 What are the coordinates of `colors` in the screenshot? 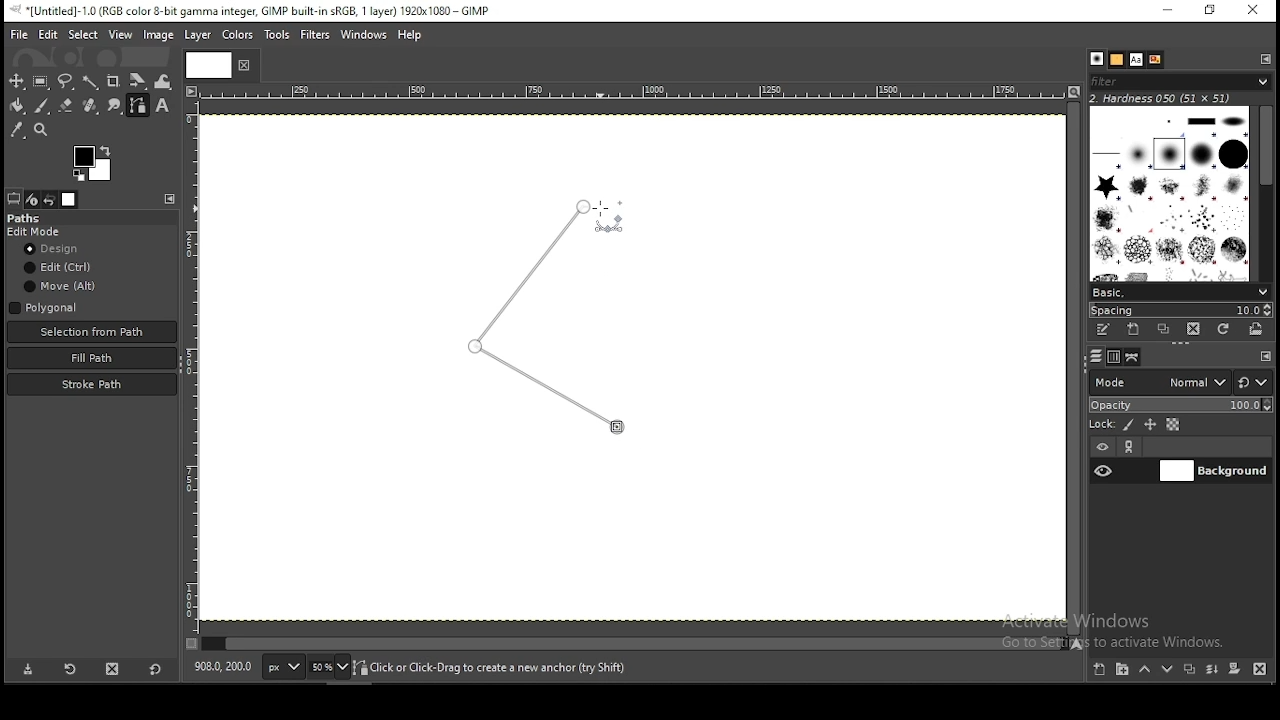 It's located at (88, 162).